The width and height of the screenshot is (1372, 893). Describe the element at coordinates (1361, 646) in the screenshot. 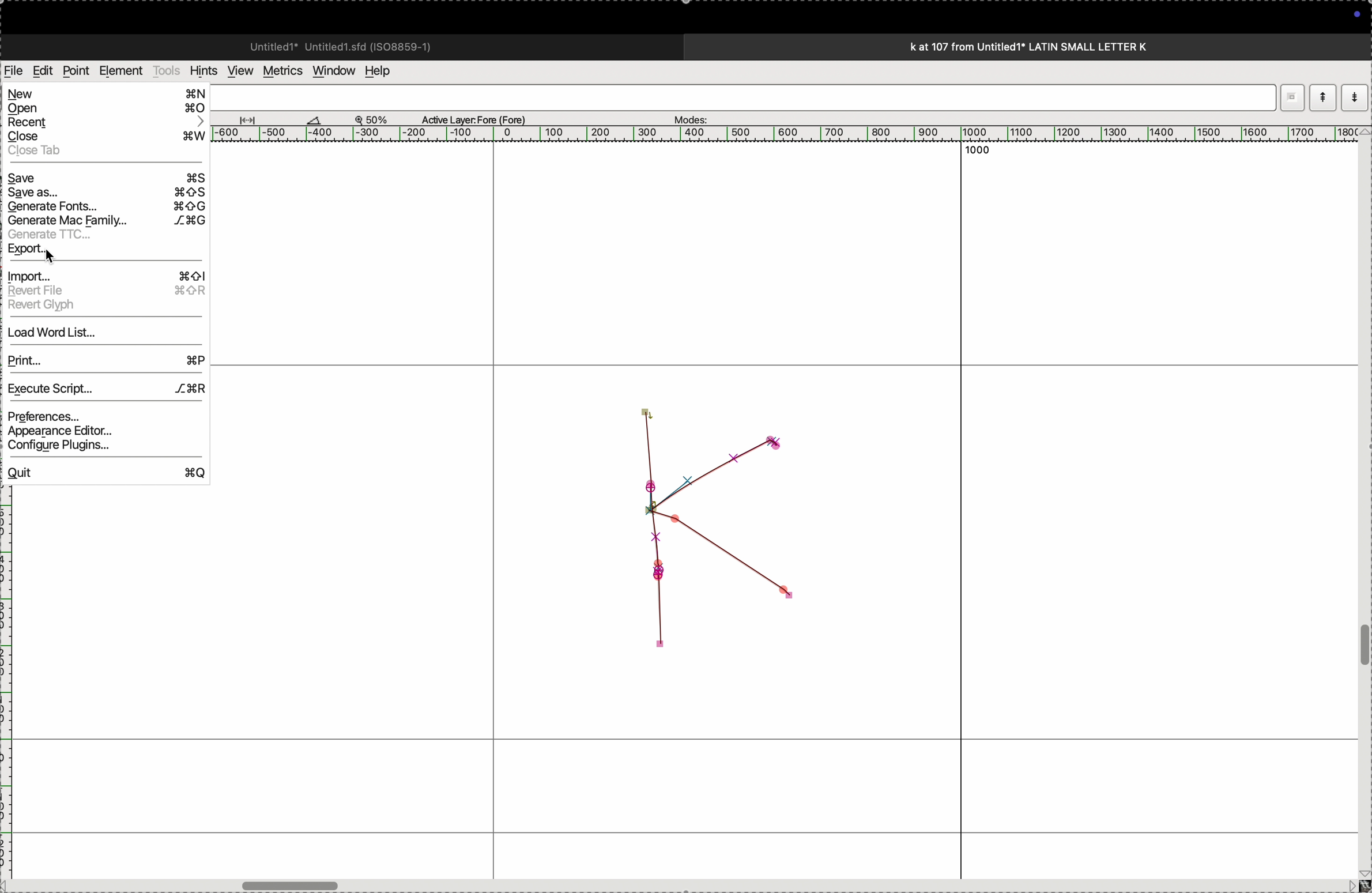

I see `toogle bar` at that location.